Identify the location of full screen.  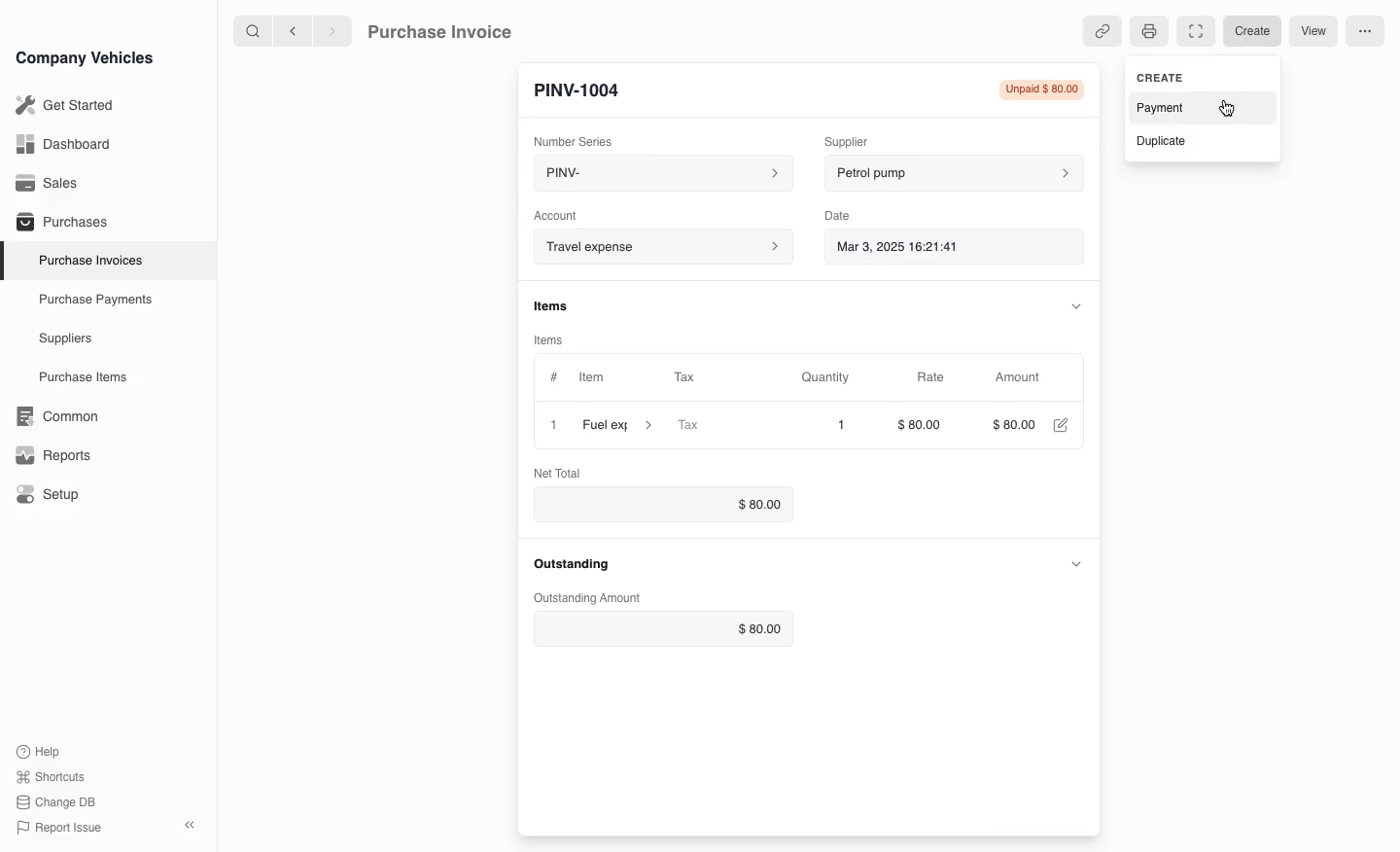
(1194, 31).